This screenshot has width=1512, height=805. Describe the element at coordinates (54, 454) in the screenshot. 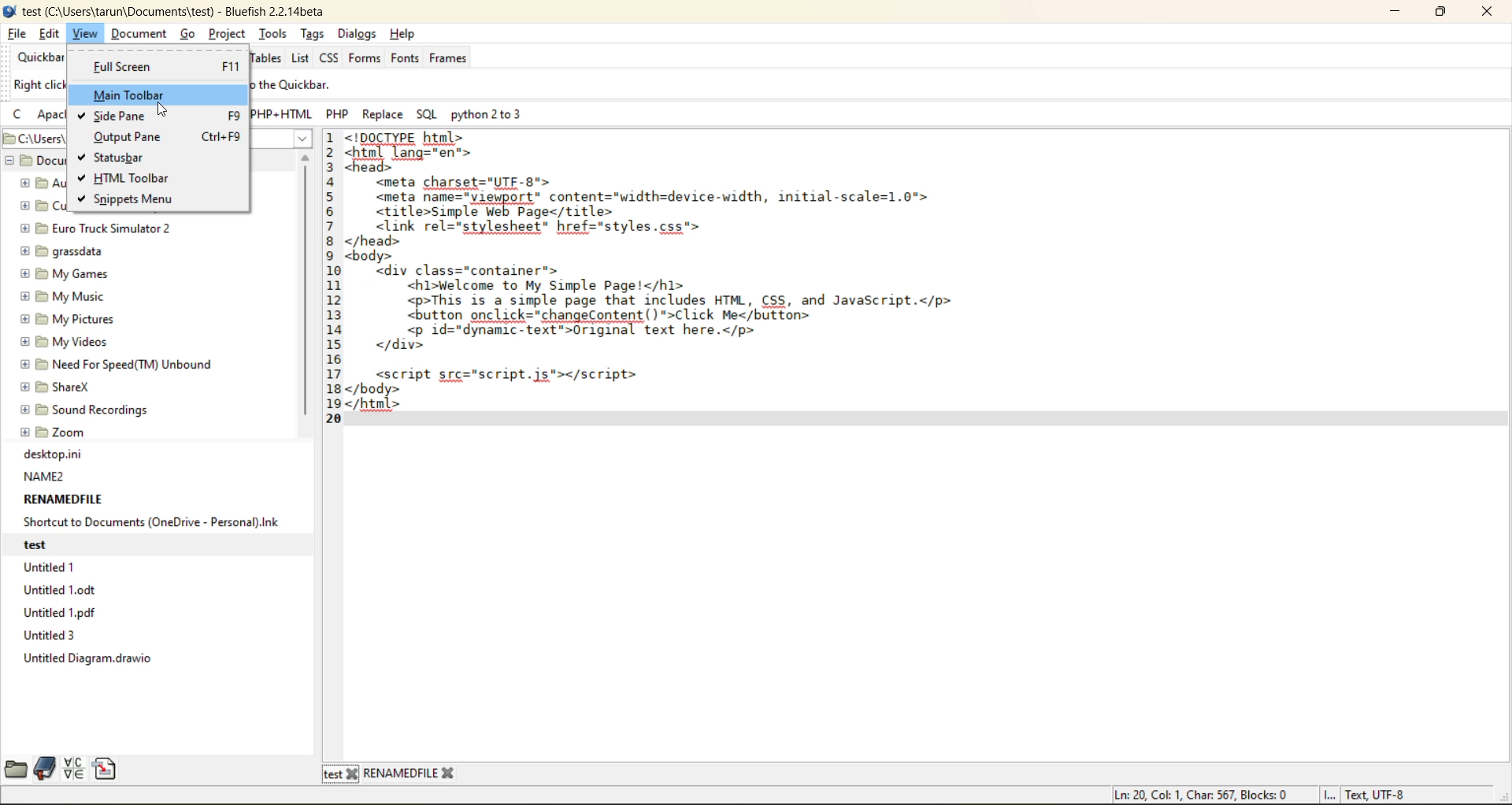

I see `desktop.ini` at that location.